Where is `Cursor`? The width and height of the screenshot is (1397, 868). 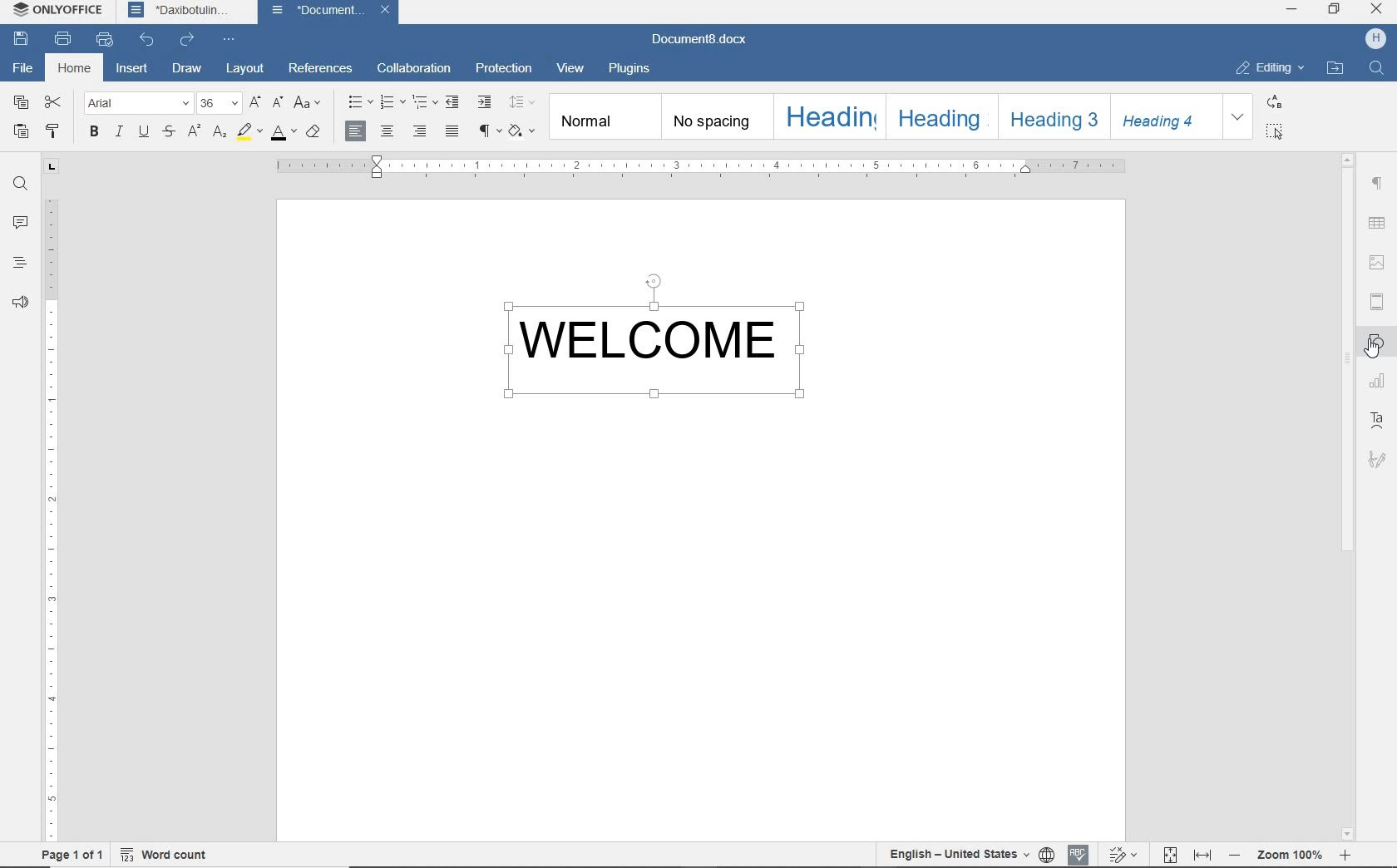 Cursor is located at coordinates (1372, 348).